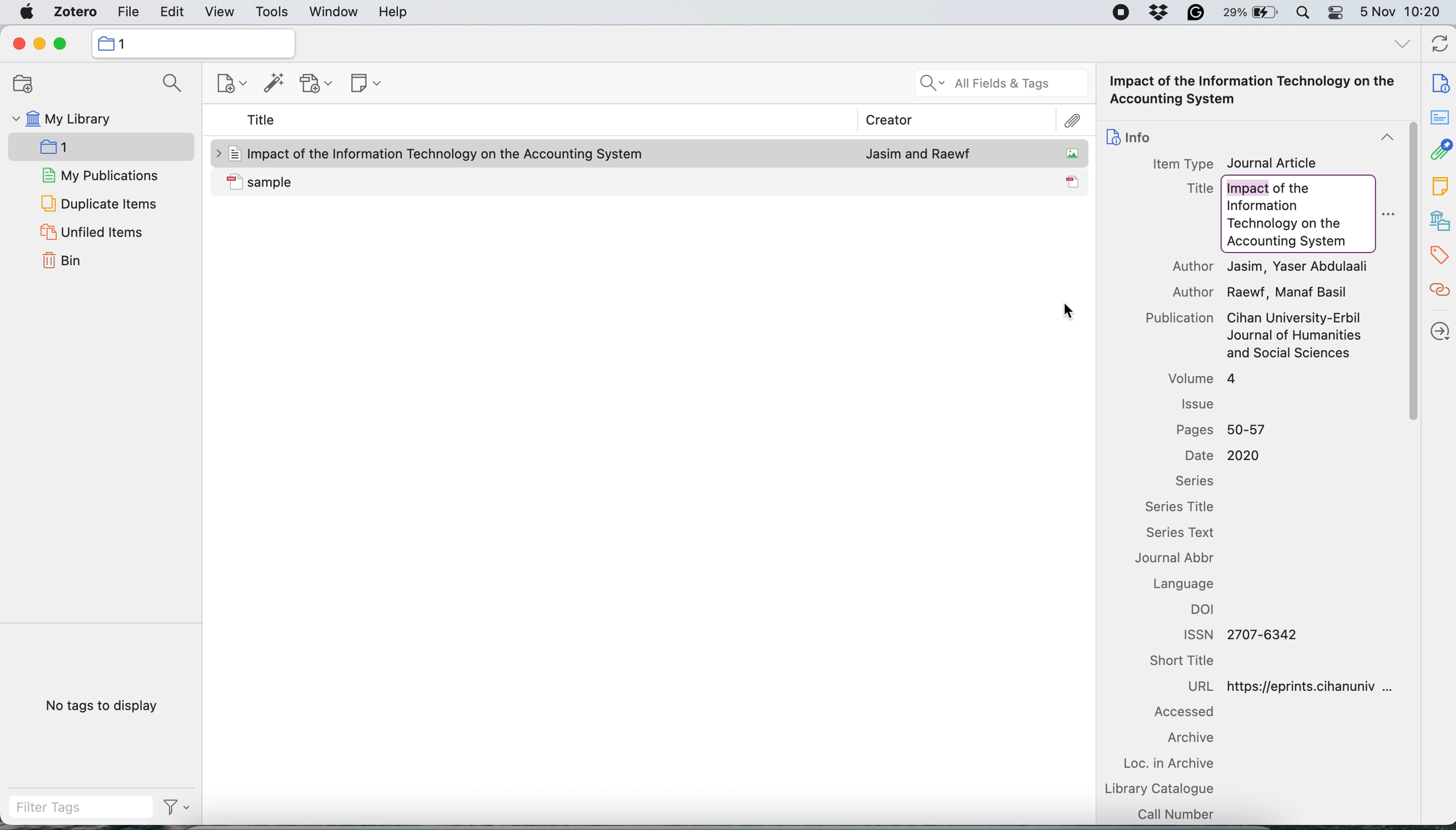 This screenshot has height=830, width=1456. Describe the element at coordinates (175, 807) in the screenshot. I see `filter tags` at that location.